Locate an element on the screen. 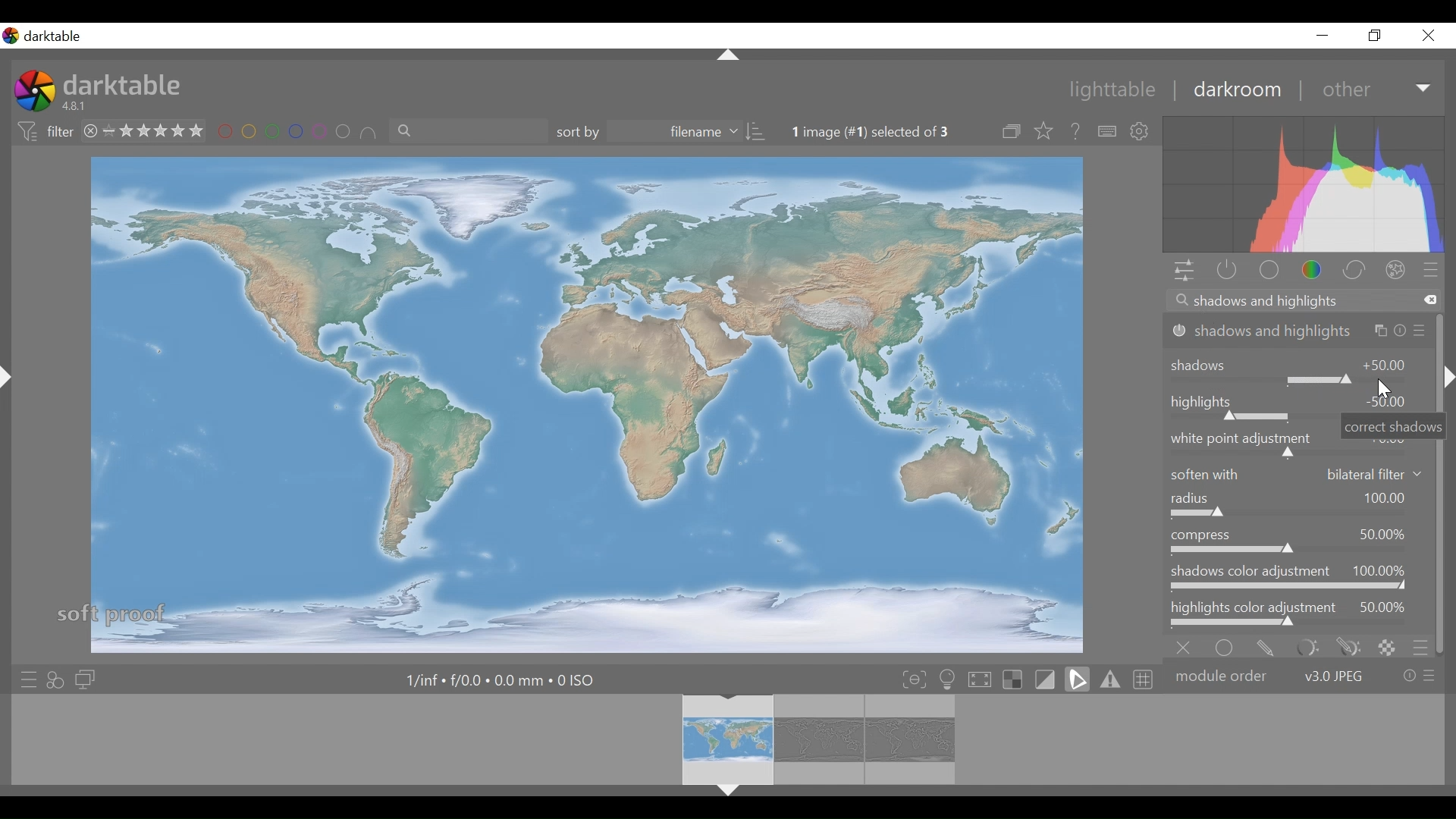 The width and height of the screenshot is (1456, 819). collapse grouped image is located at coordinates (1013, 132).